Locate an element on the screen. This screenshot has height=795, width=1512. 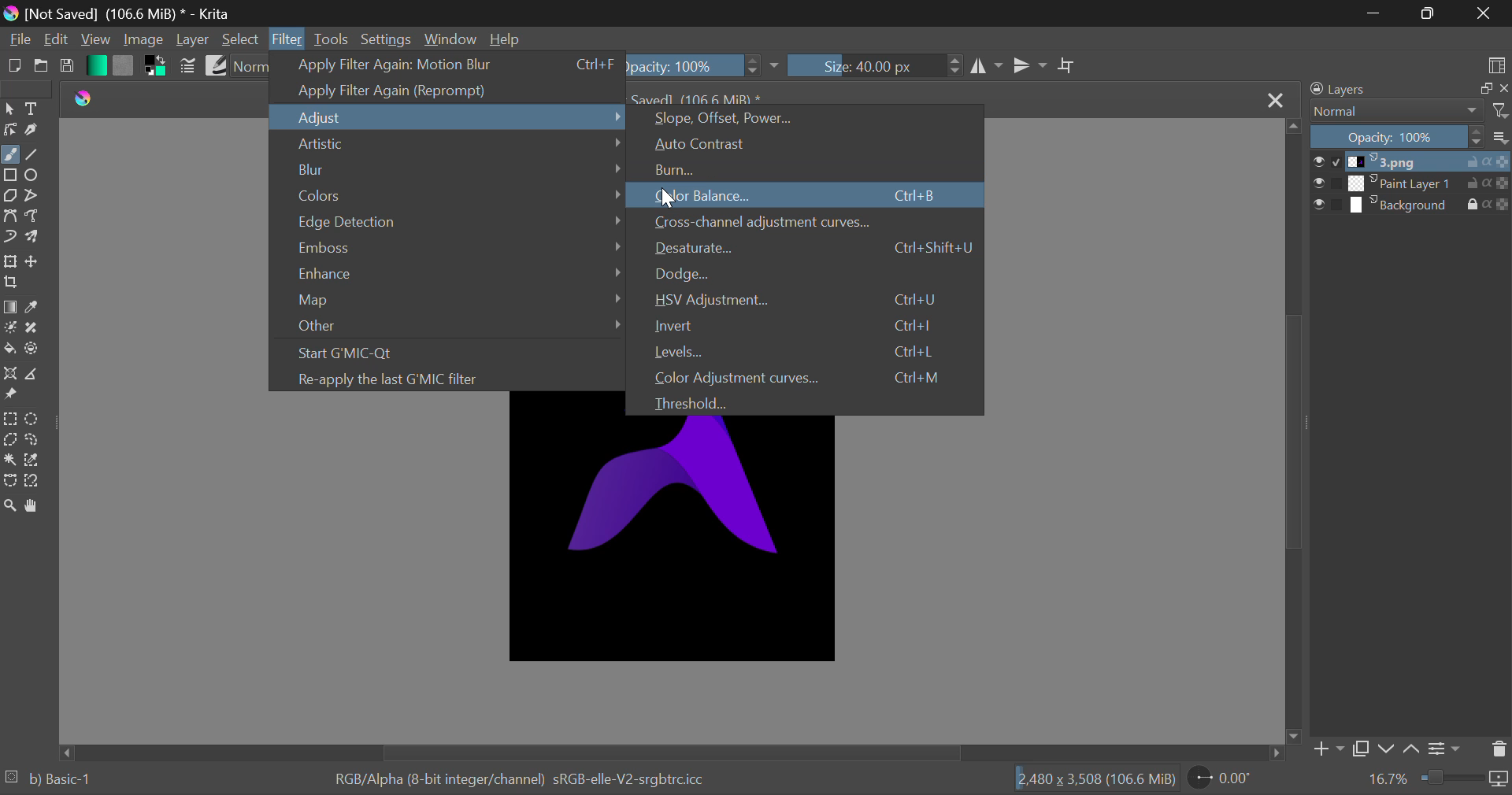
Rectangle is located at coordinates (13, 176).